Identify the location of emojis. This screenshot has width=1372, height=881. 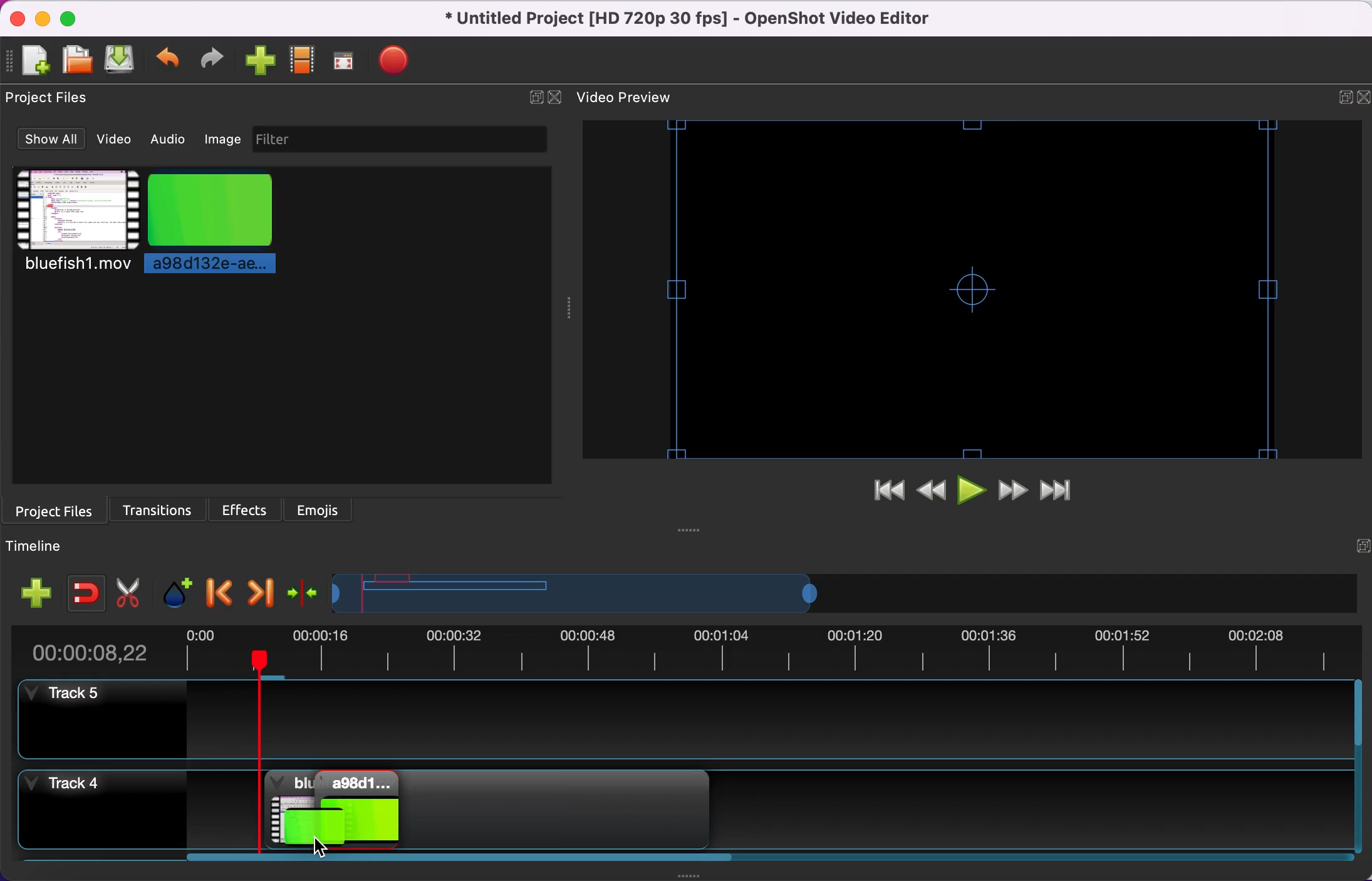
(326, 511).